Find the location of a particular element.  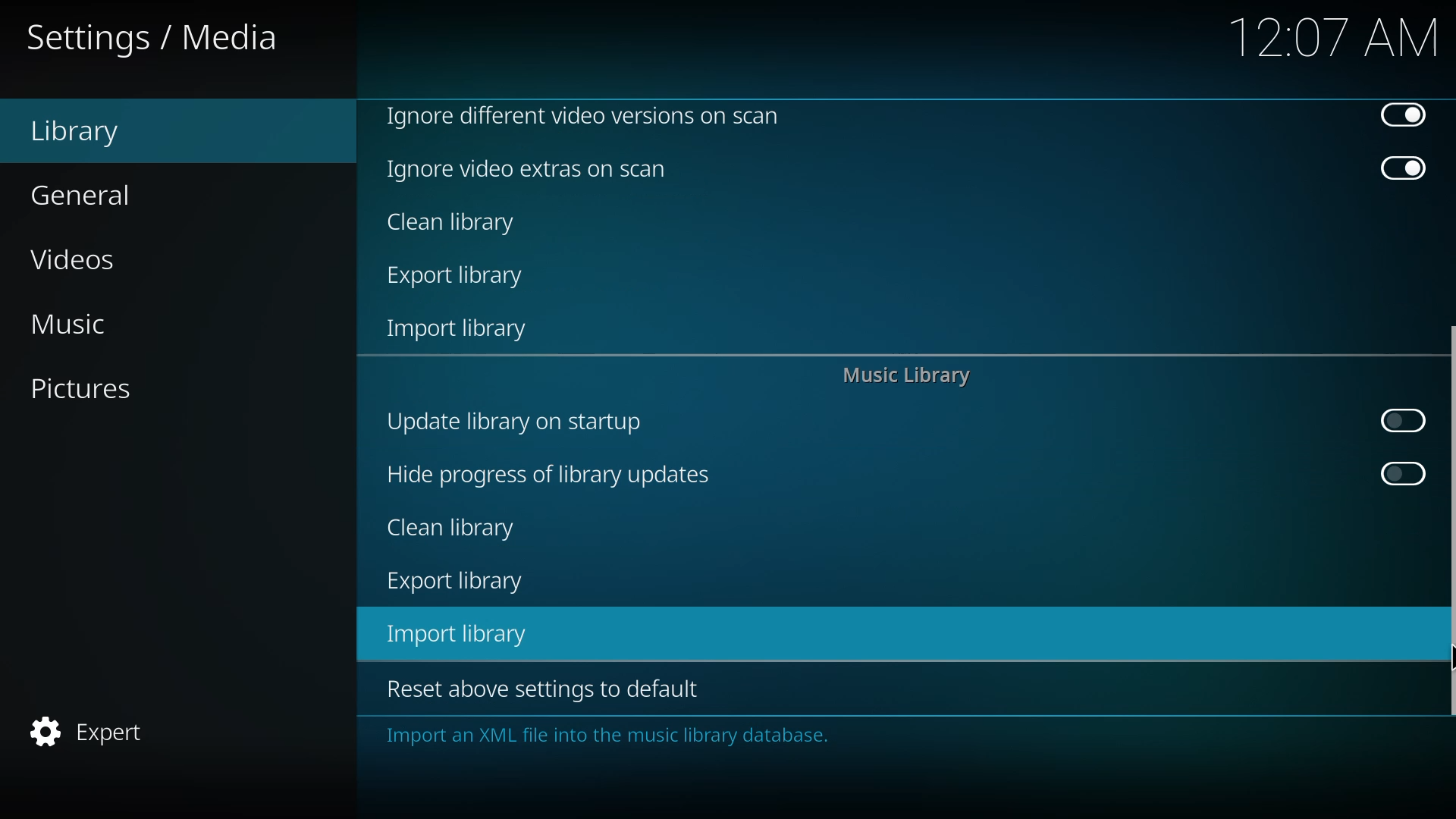

settings media is located at coordinates (155, 39).